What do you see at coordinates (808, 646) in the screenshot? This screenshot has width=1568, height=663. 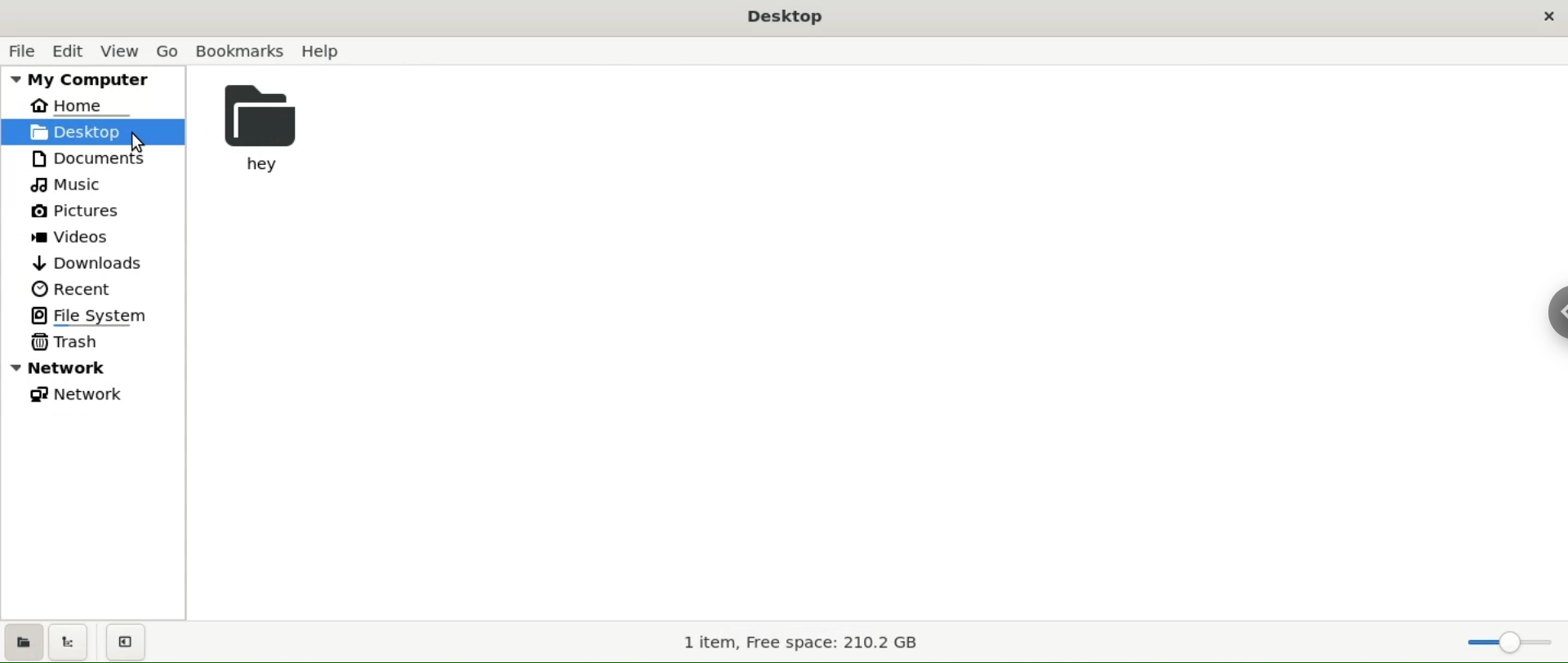 I see `1 item, Free space: 210.2 GB` at bounding box center [808, 646].